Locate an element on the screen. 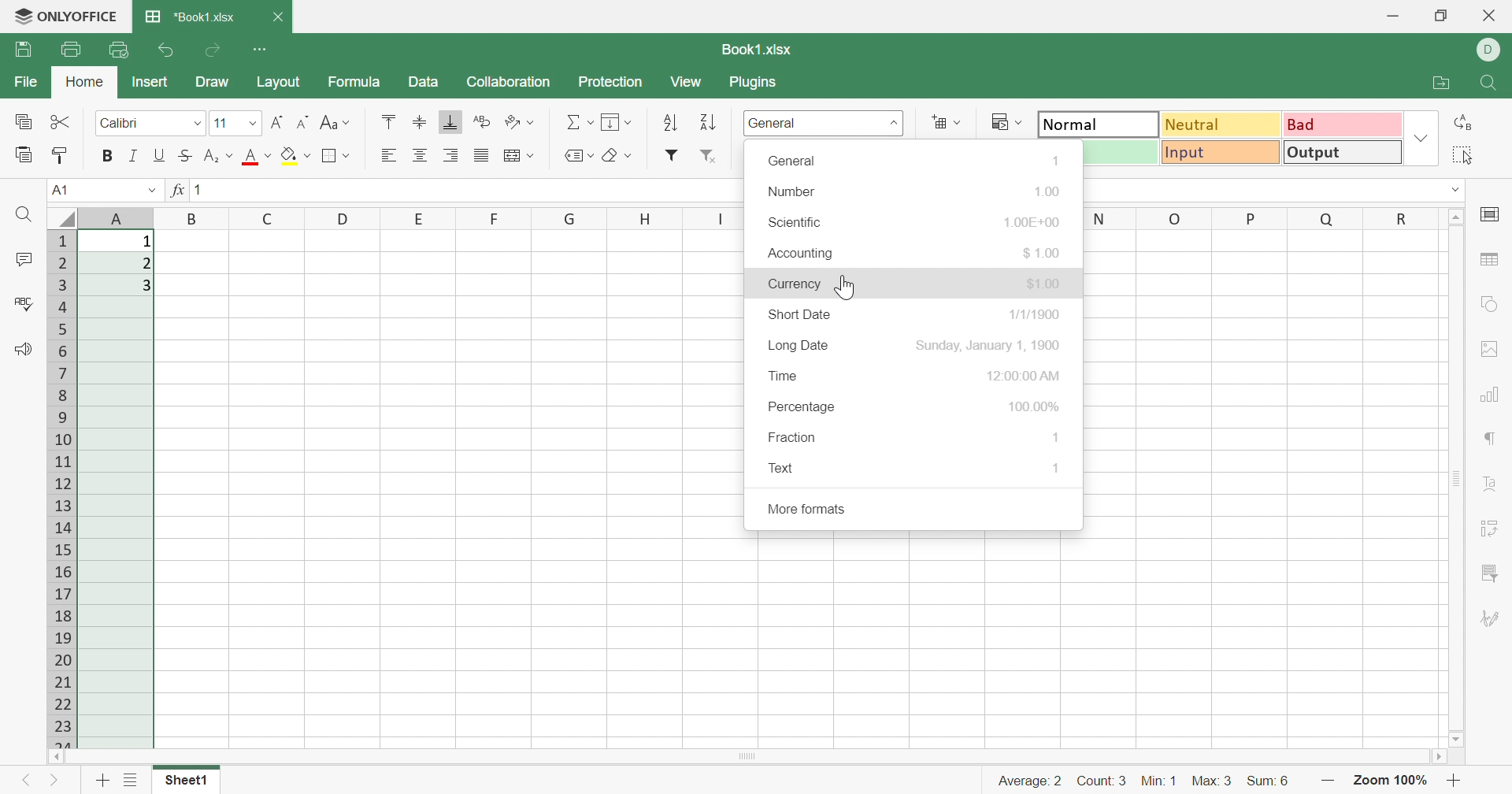  Wrap text is located at coordinates (516, 156).